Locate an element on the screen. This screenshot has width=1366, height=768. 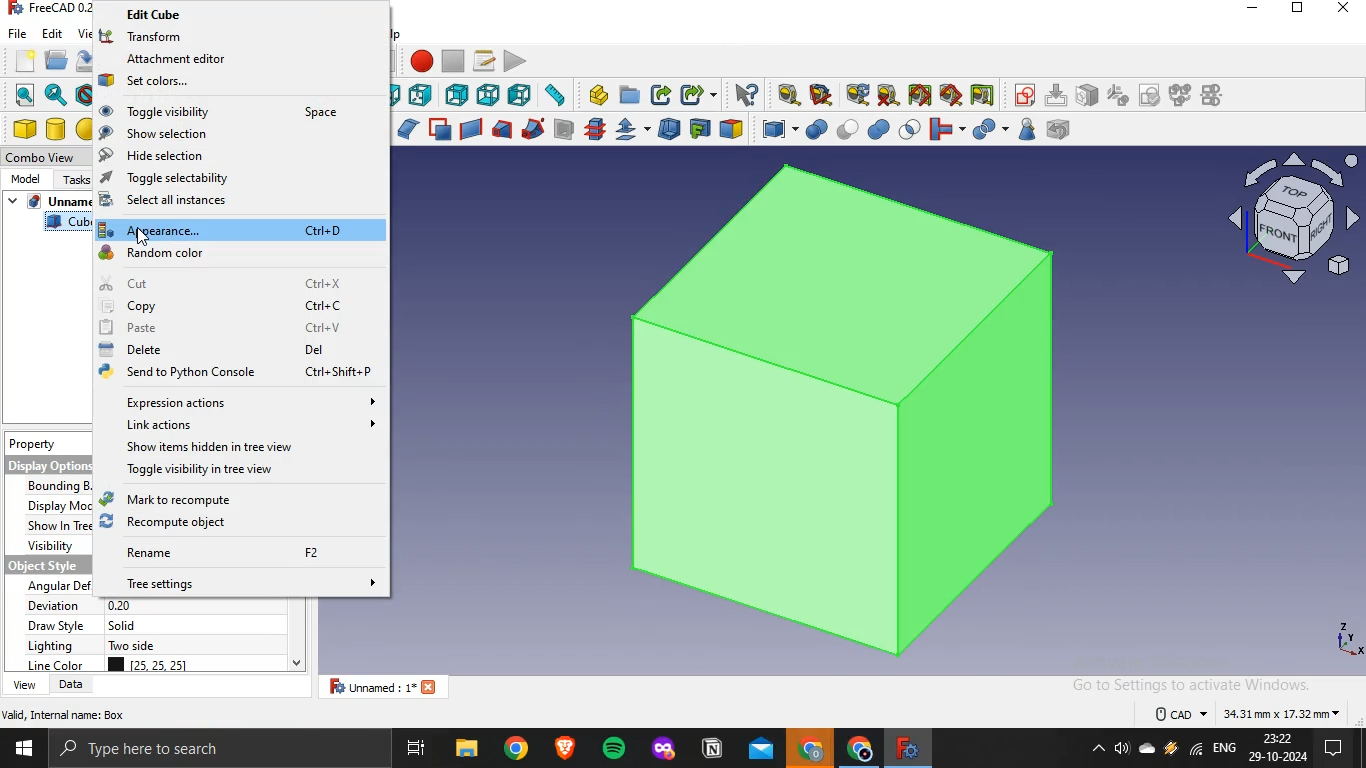
create a ruled surface is located at coordinates (471, 128).